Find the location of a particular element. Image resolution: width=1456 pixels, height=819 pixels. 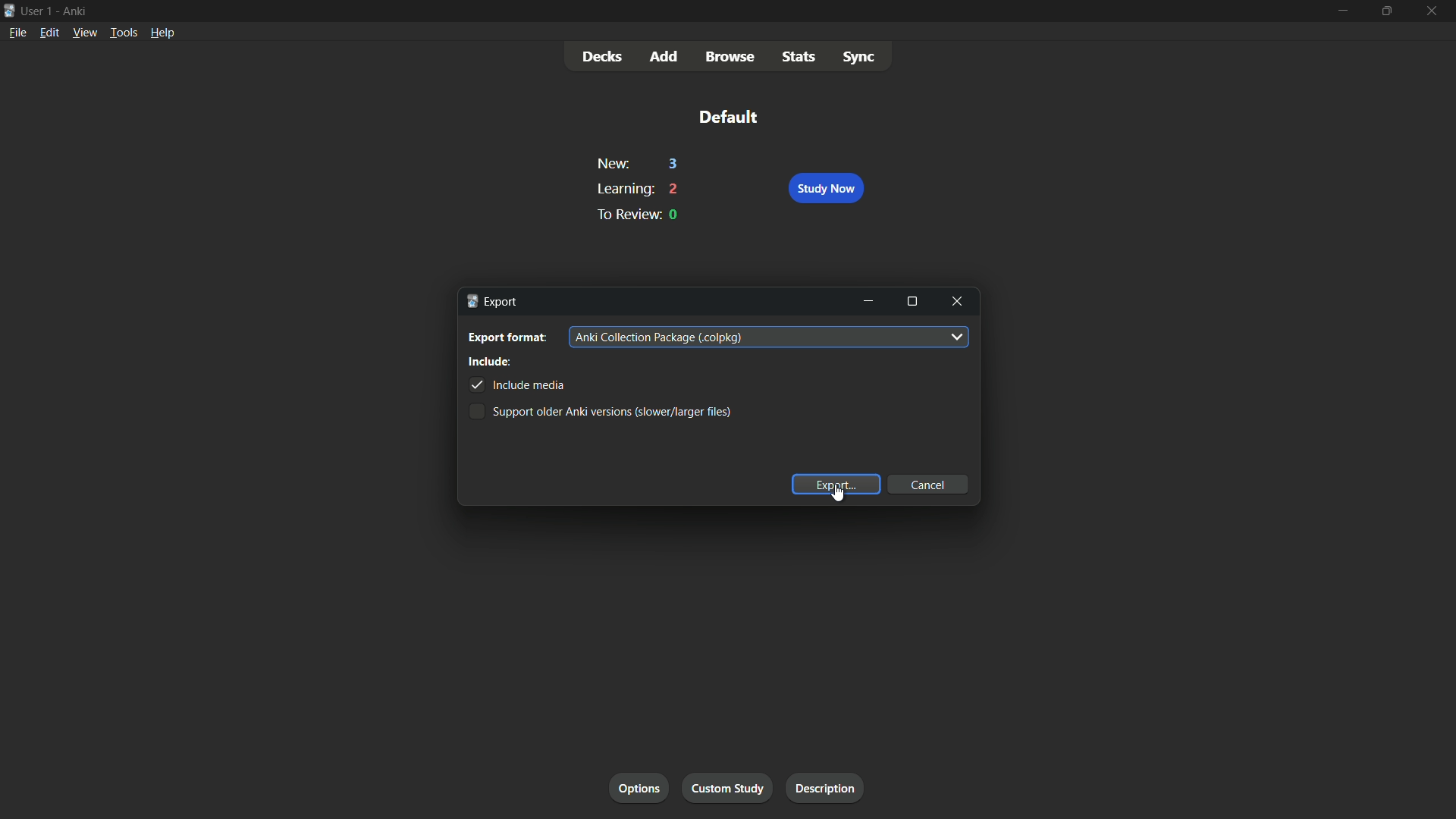

2 is located at coordinates (675, 189).